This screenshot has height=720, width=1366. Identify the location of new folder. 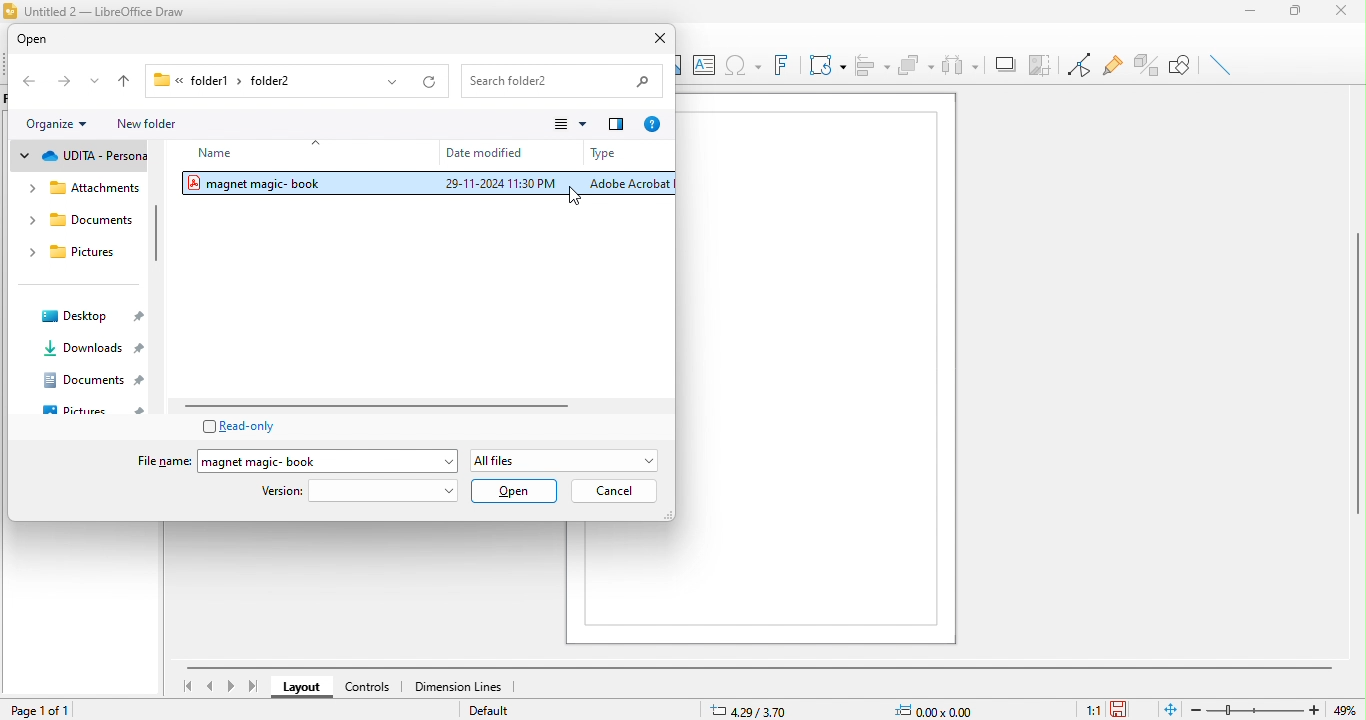
(160, 124).